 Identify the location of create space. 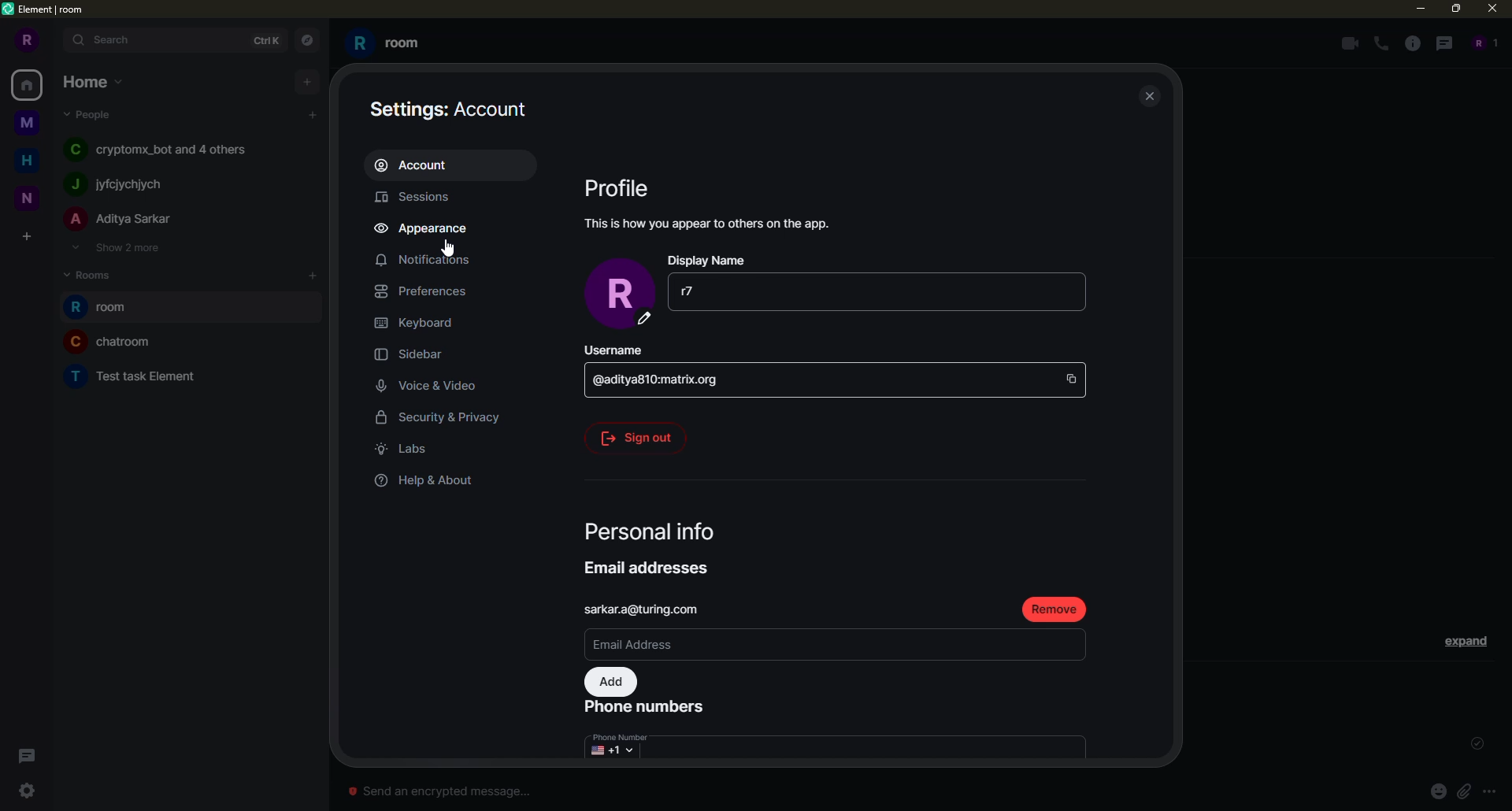
(26, 238).